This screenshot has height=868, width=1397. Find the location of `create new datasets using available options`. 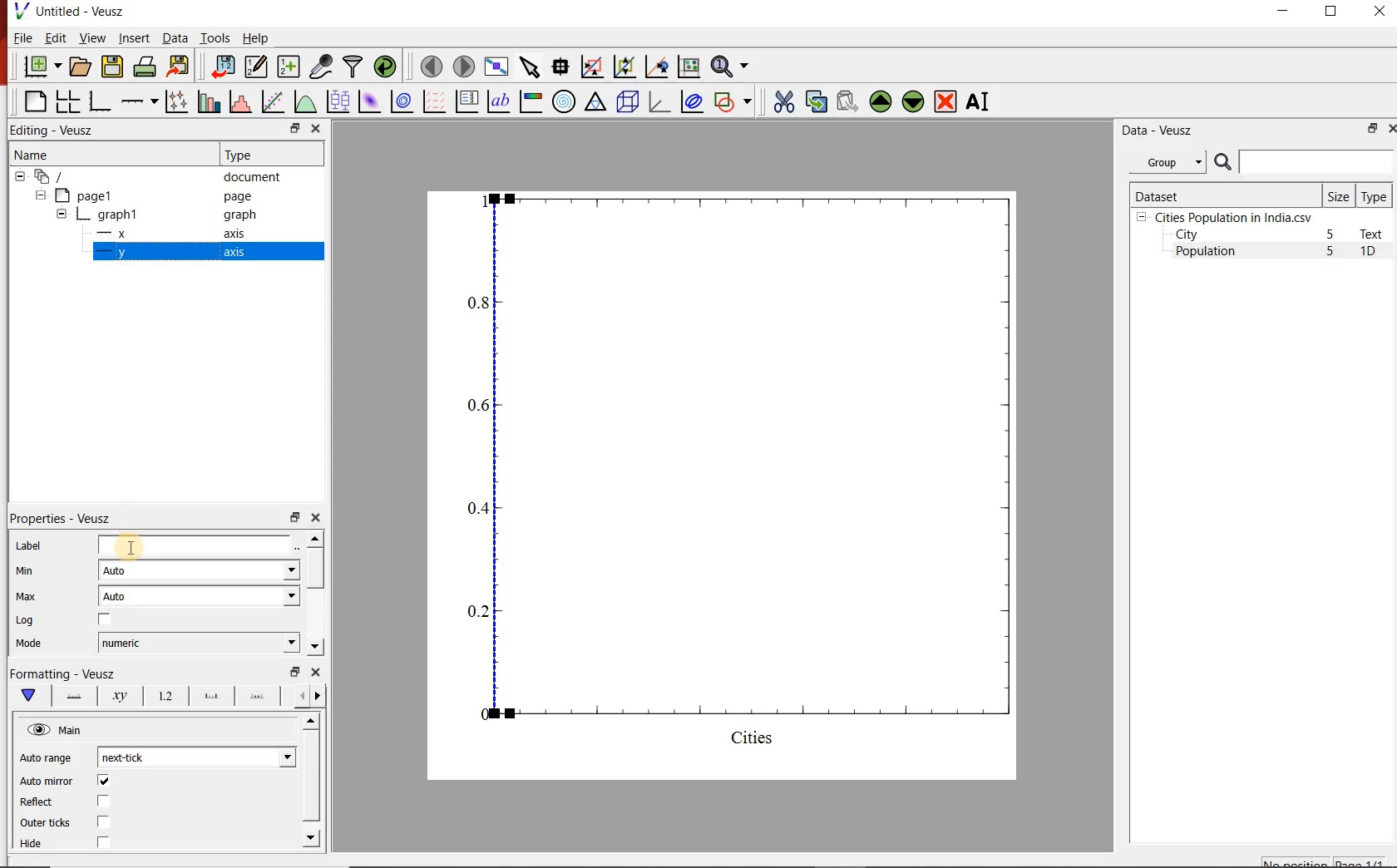

create new datasets using available options is located at coordinates (286, 67).